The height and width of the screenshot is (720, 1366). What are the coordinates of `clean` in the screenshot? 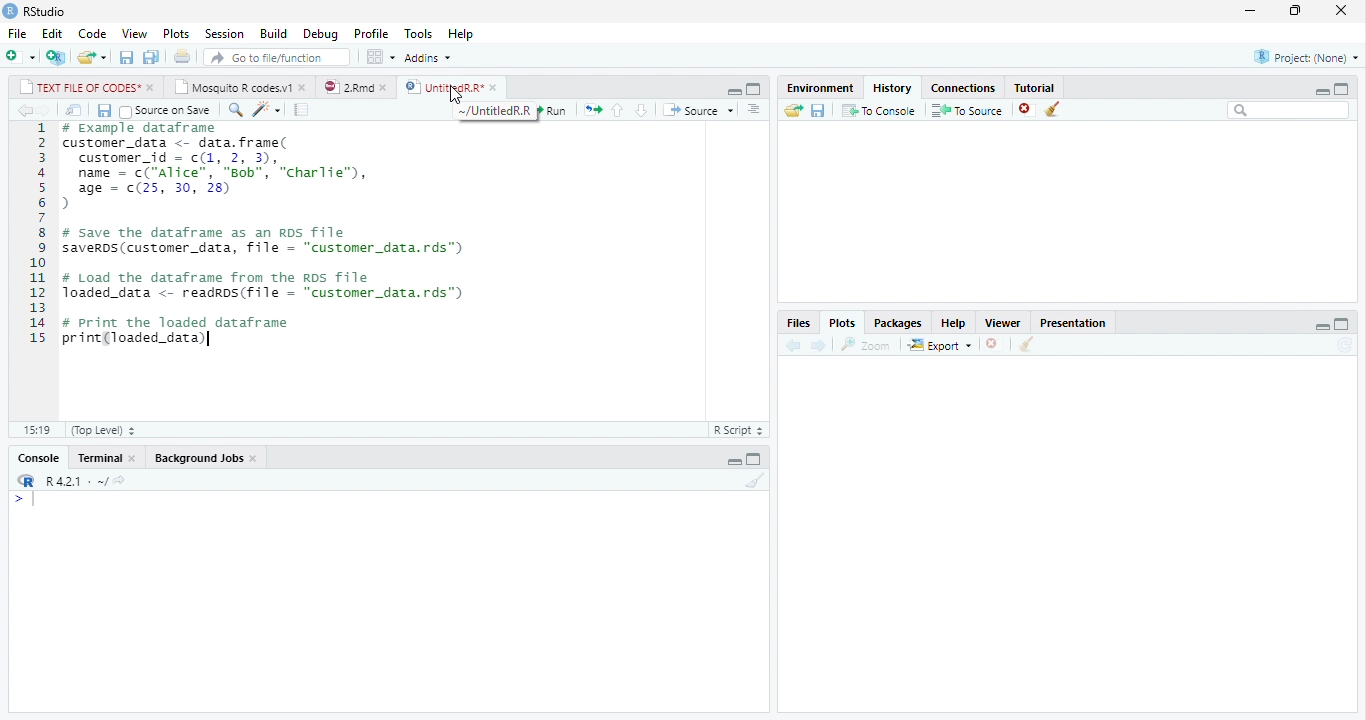 It's located at (1027, 344).